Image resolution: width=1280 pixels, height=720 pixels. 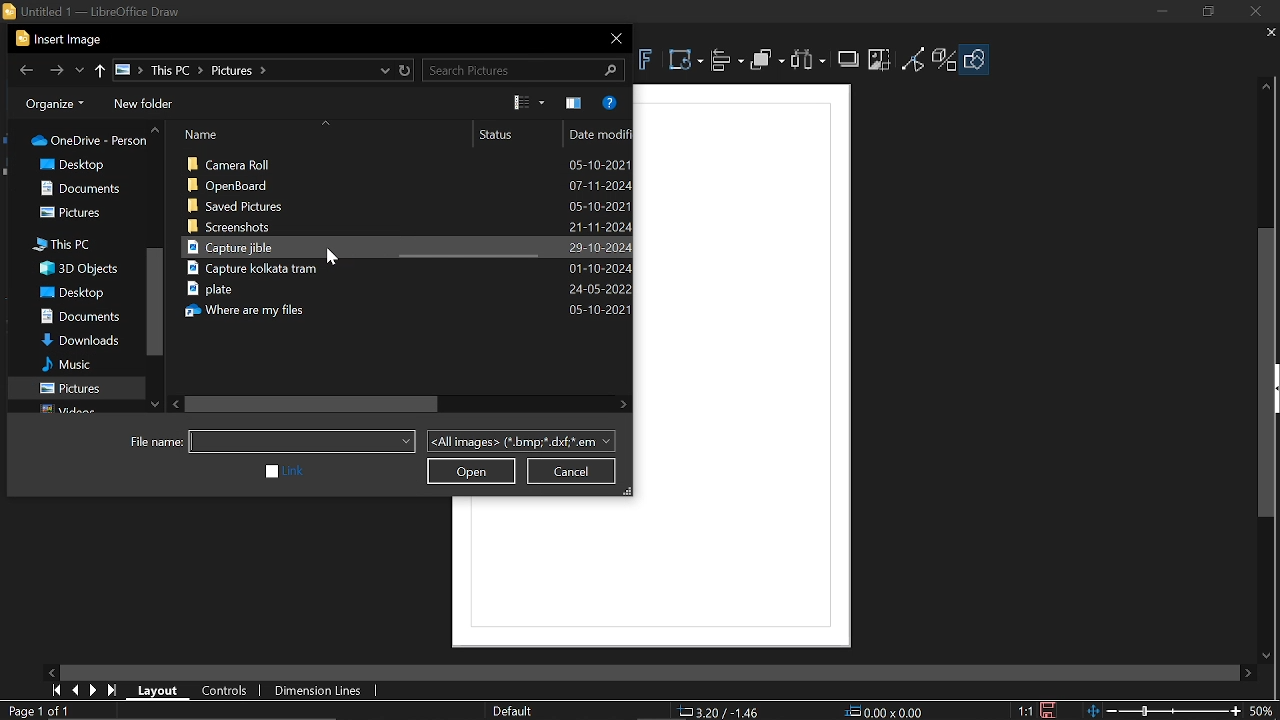 I want to click on Open, so click(x=470, y=473).